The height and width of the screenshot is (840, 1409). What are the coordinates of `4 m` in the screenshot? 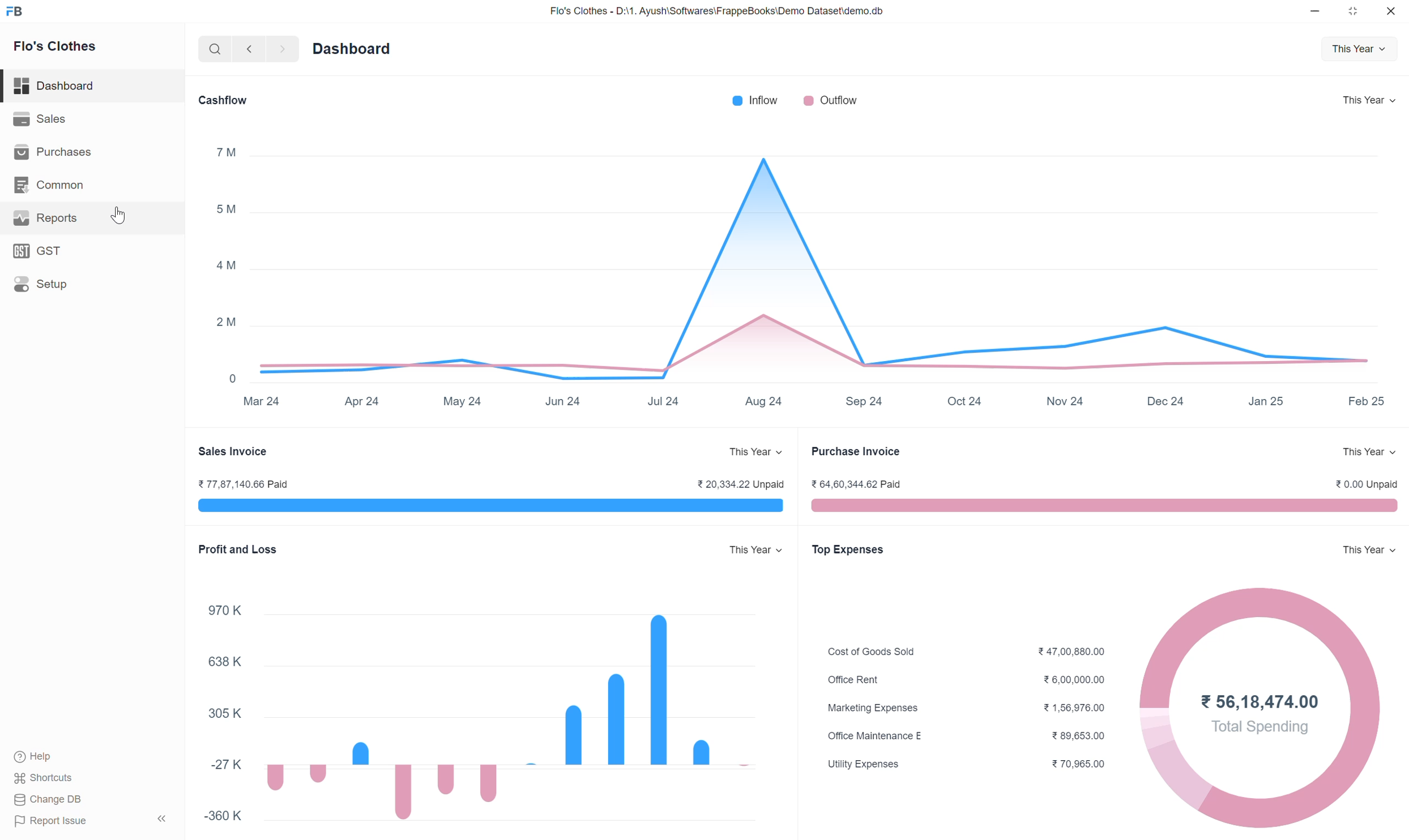 It's located at (227, 265).